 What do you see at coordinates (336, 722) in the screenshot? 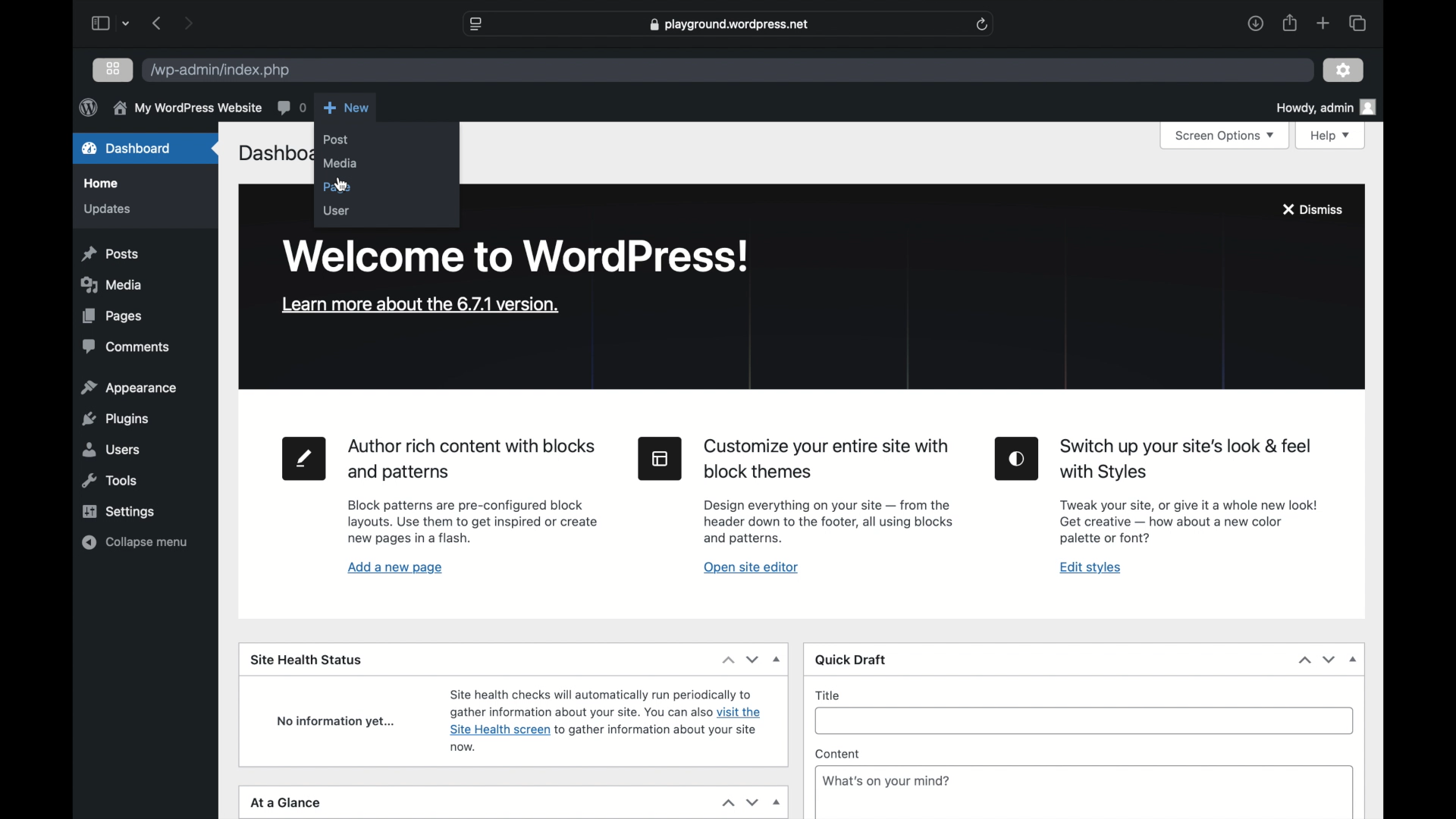
I see `no information yet` at bounding box center [336, 722].